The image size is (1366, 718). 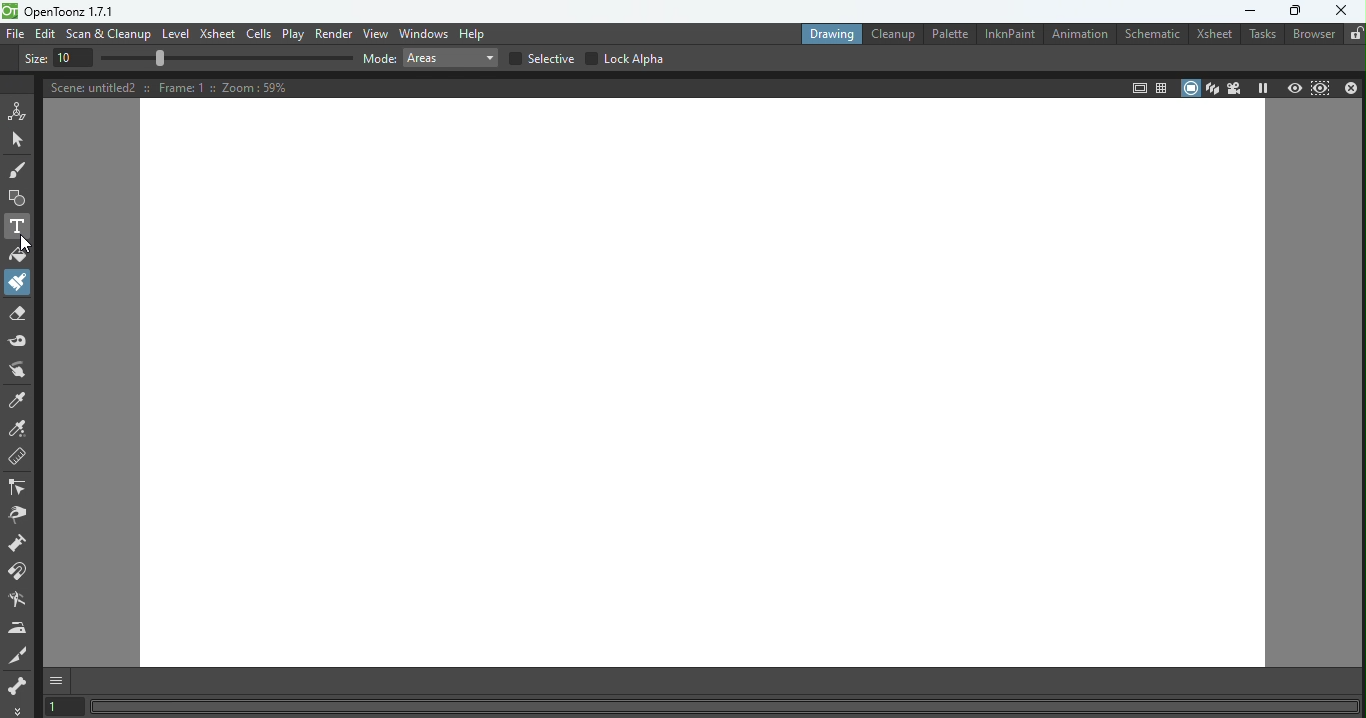 What do you see at coordinates (228, 59) in the screenshot?
I see `Slide bar` at bounding box center [228, 59].